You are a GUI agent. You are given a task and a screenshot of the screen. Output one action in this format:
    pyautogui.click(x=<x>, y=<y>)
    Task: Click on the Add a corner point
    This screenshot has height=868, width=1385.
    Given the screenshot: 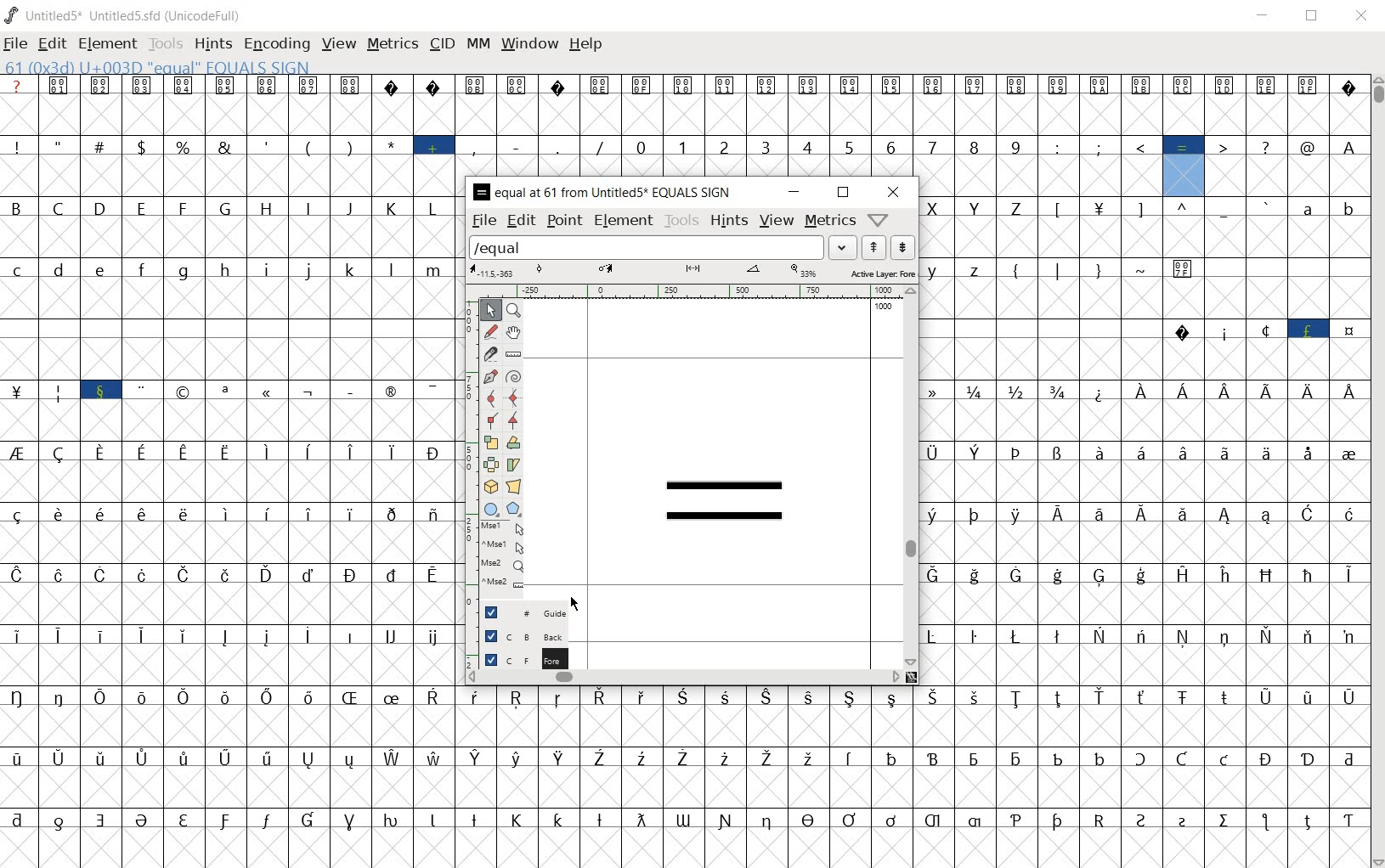 What is the action you would take?
    pyautogui.click(x=514, y=420)
    